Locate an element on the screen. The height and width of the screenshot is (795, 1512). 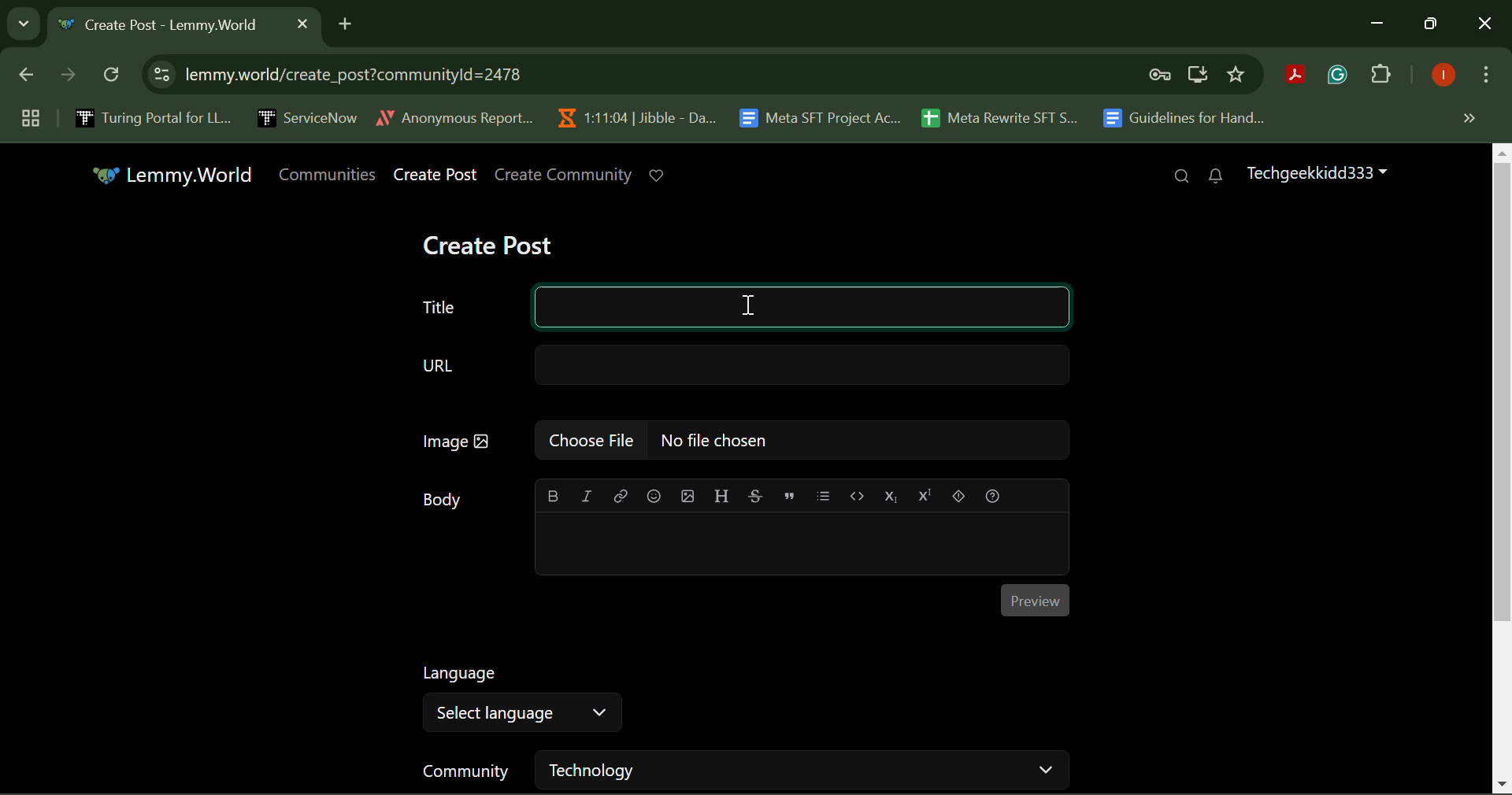
Minimize Down is located at coordinates (1380, 24).